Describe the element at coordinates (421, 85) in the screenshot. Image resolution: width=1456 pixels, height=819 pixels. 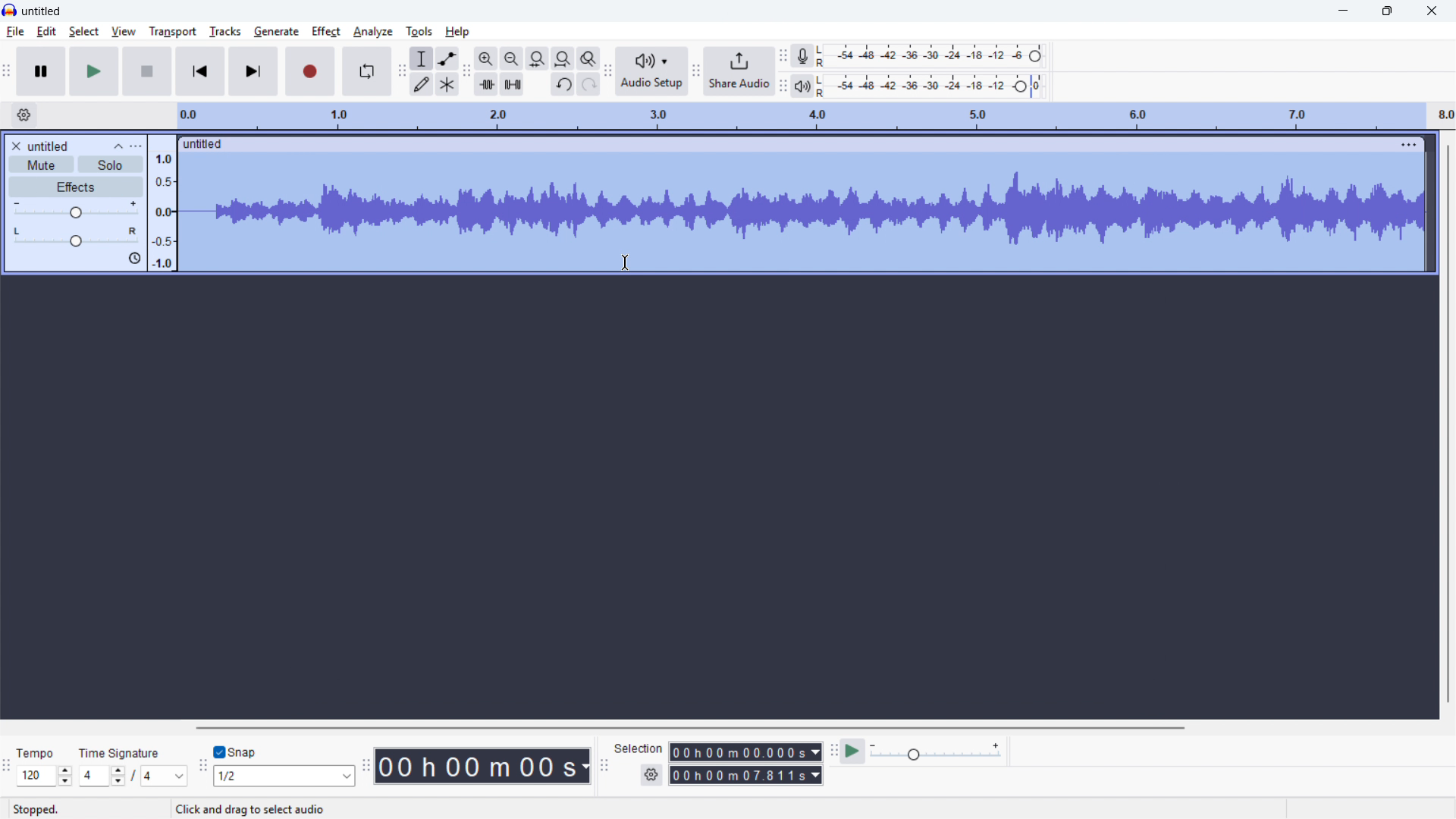
I see `Draw tool ` at that location.